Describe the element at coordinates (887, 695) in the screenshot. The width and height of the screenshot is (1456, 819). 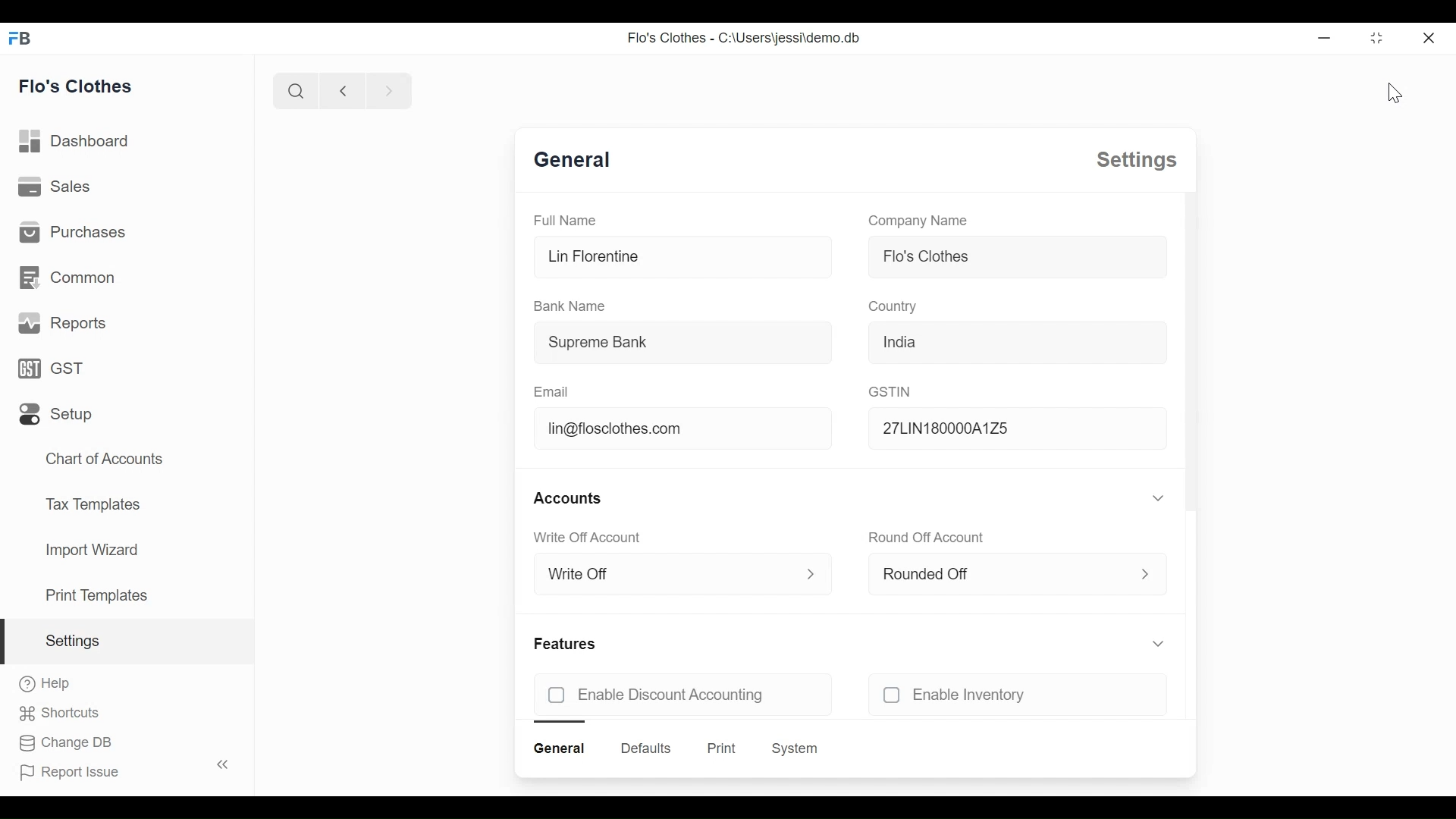
I see `checkbox` at that location.